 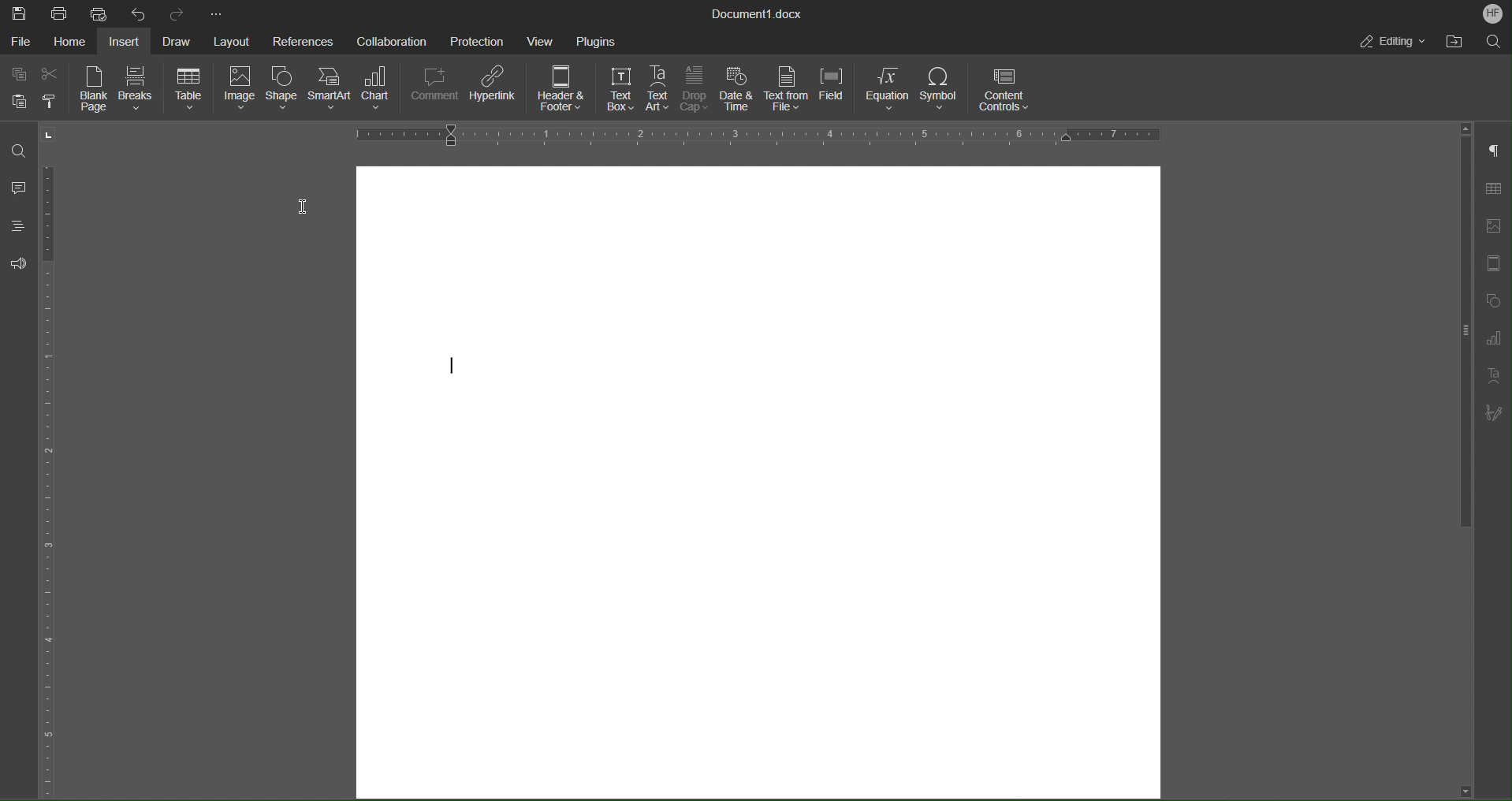 What do you see at coordinates (329, 91) in the screenshot?
I see `SmartArt` at bounding box center [329, 91].